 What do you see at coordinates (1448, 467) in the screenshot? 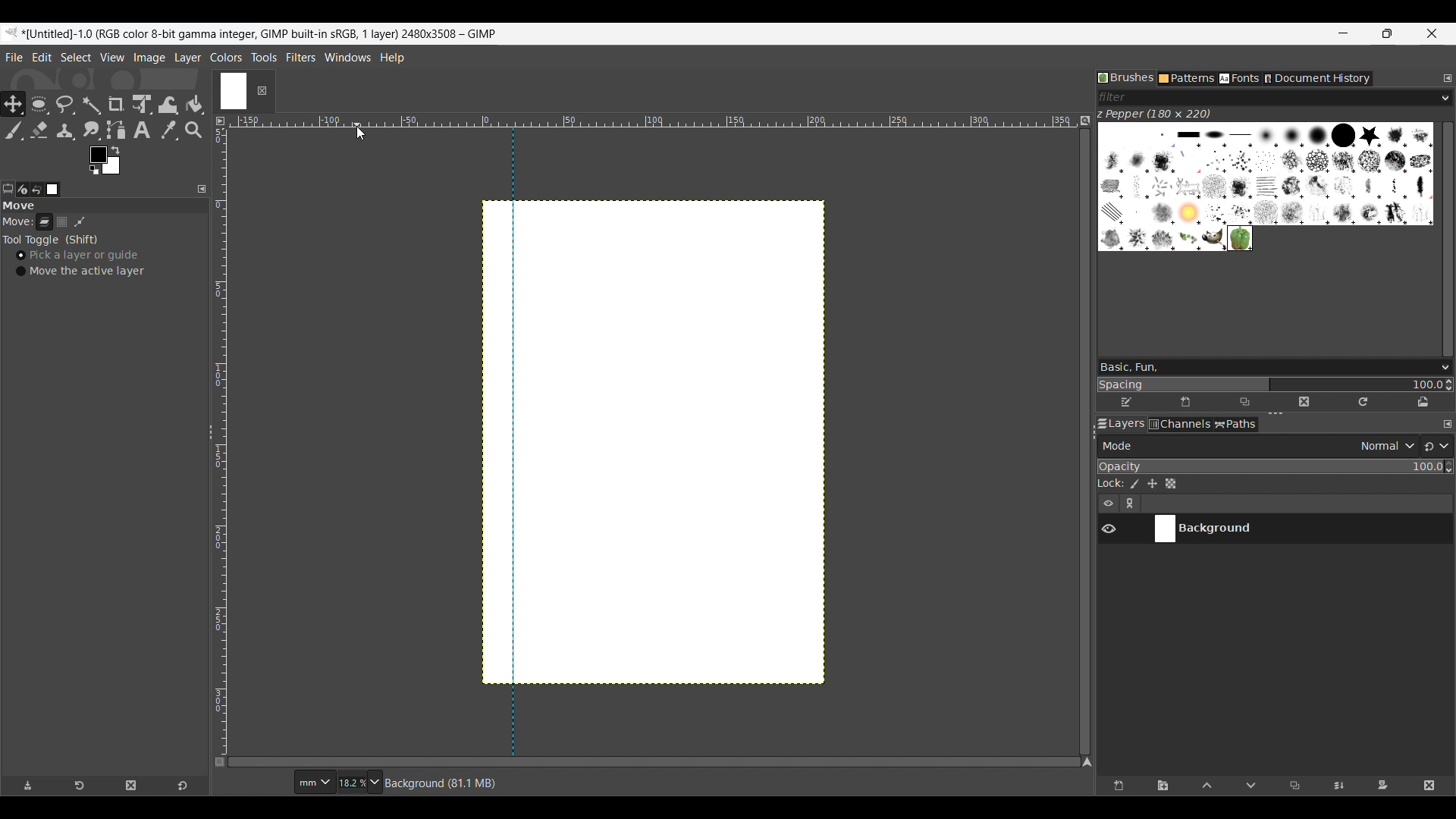
I see `Increase/Decrease opacity` at bounding box center [1448, 467].